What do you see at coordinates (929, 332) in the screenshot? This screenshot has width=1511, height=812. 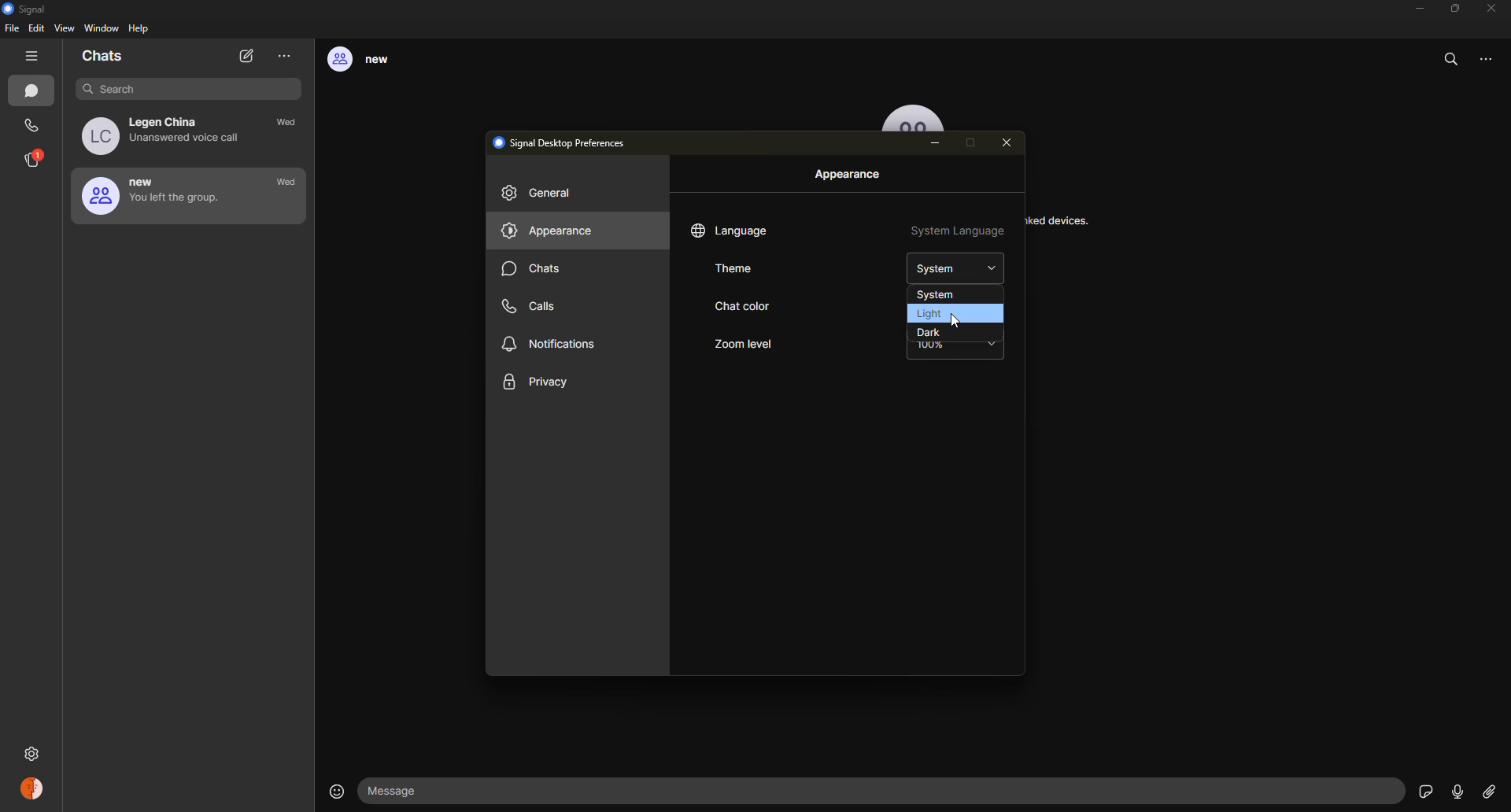 I see `dark` at bounding box center [929, 332].